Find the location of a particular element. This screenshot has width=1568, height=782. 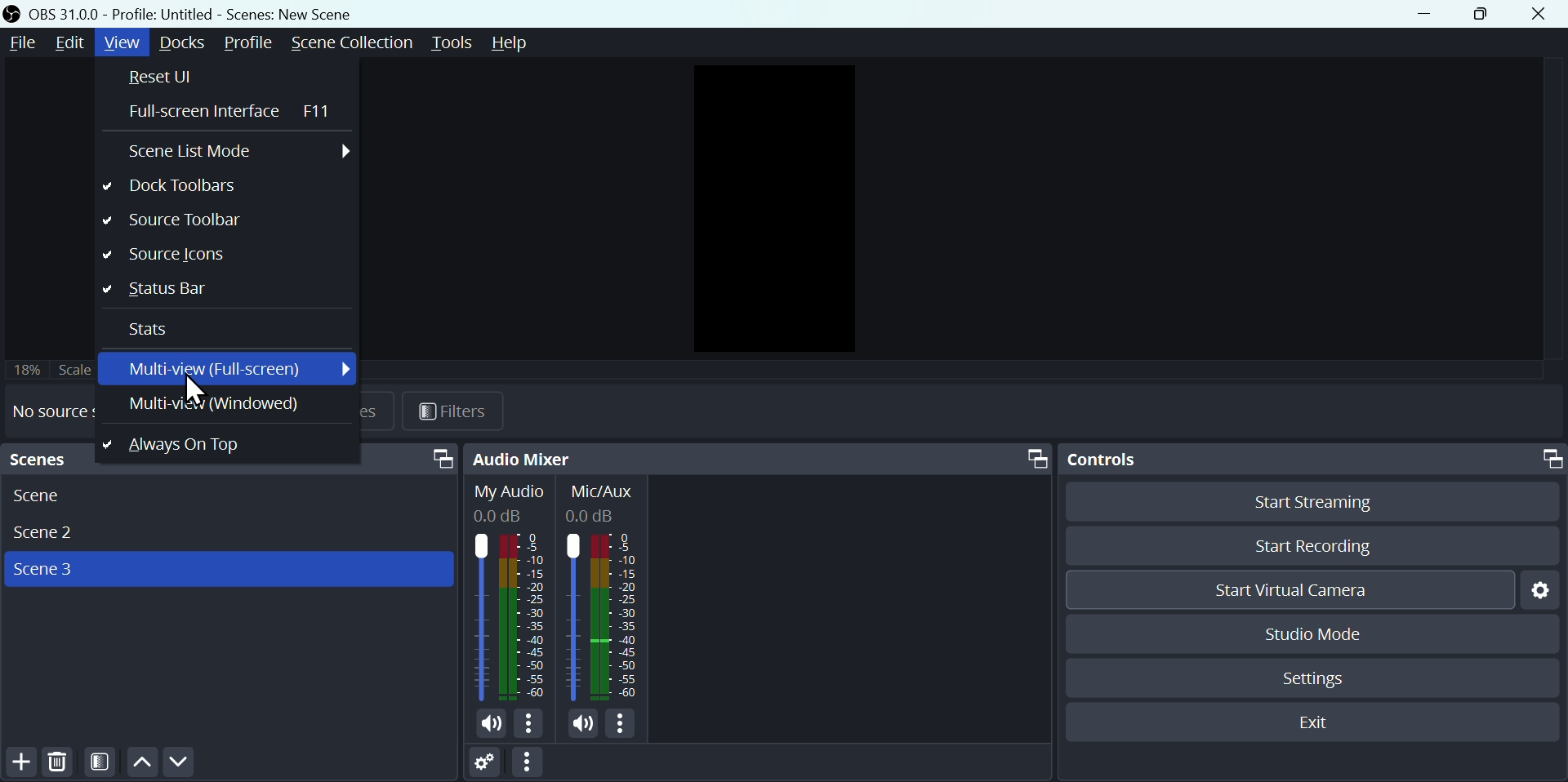

View is located at coordinates (123, 43).